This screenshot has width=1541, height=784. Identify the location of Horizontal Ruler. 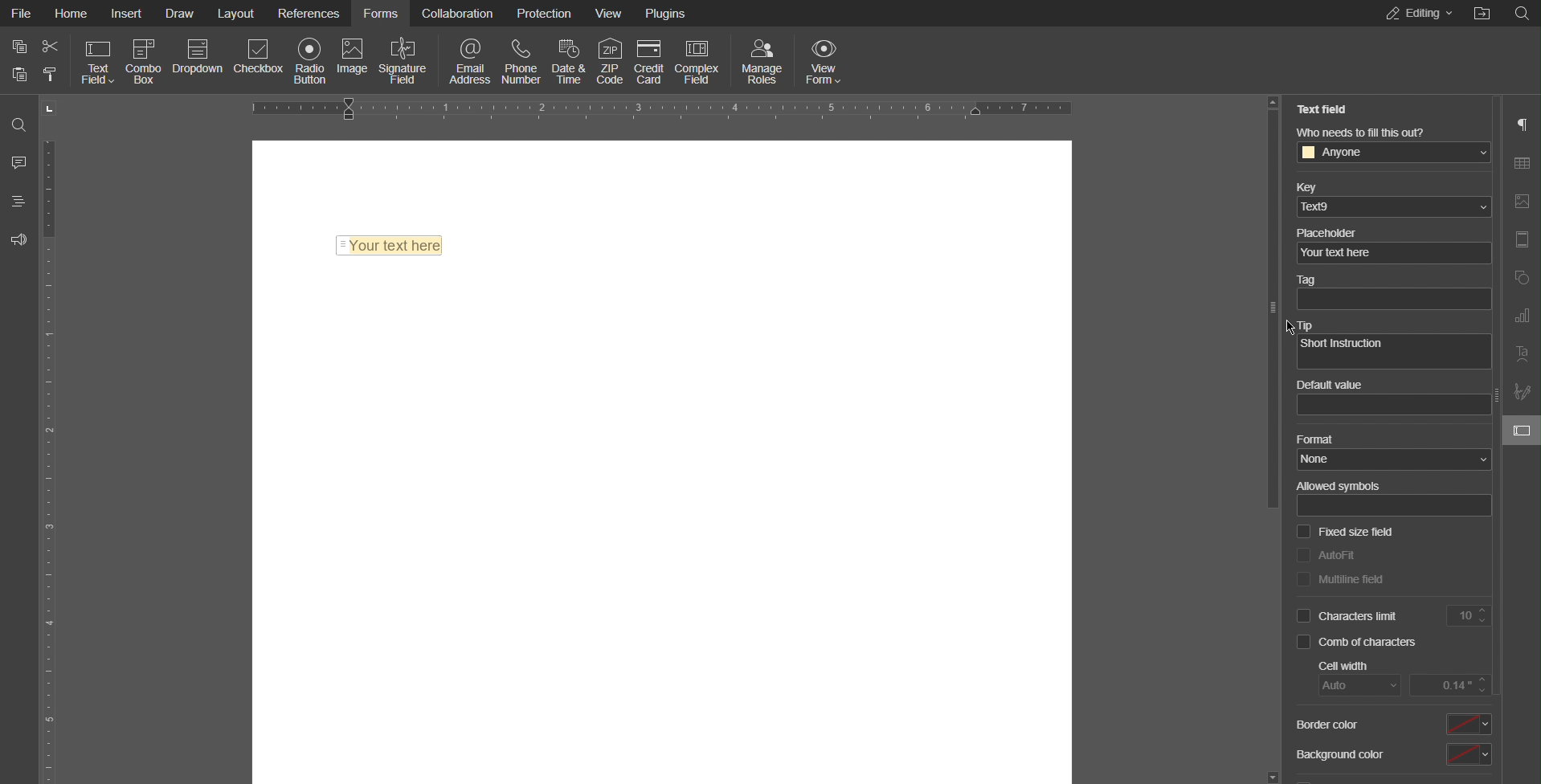
(663, 109).